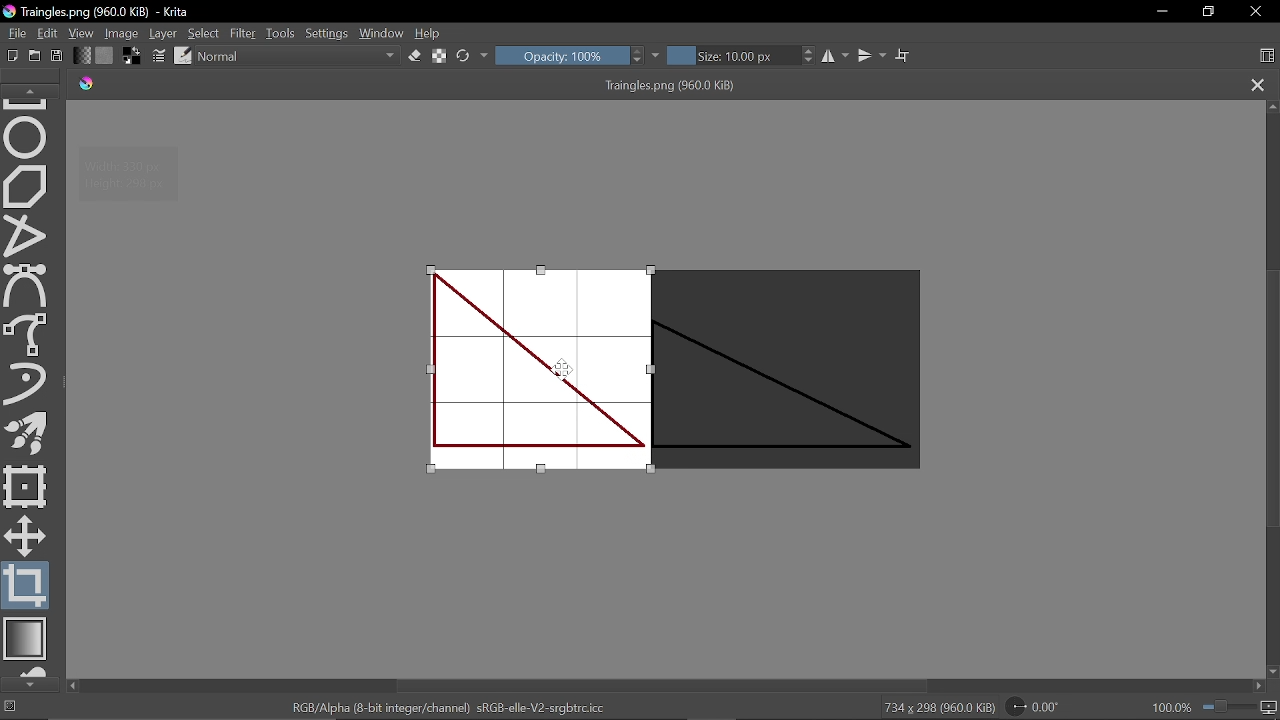 The height and width of the screenshot is (720, 1280). Describe the element at coordinates (58, 56) in the screenshot. I see `Save` at that location.